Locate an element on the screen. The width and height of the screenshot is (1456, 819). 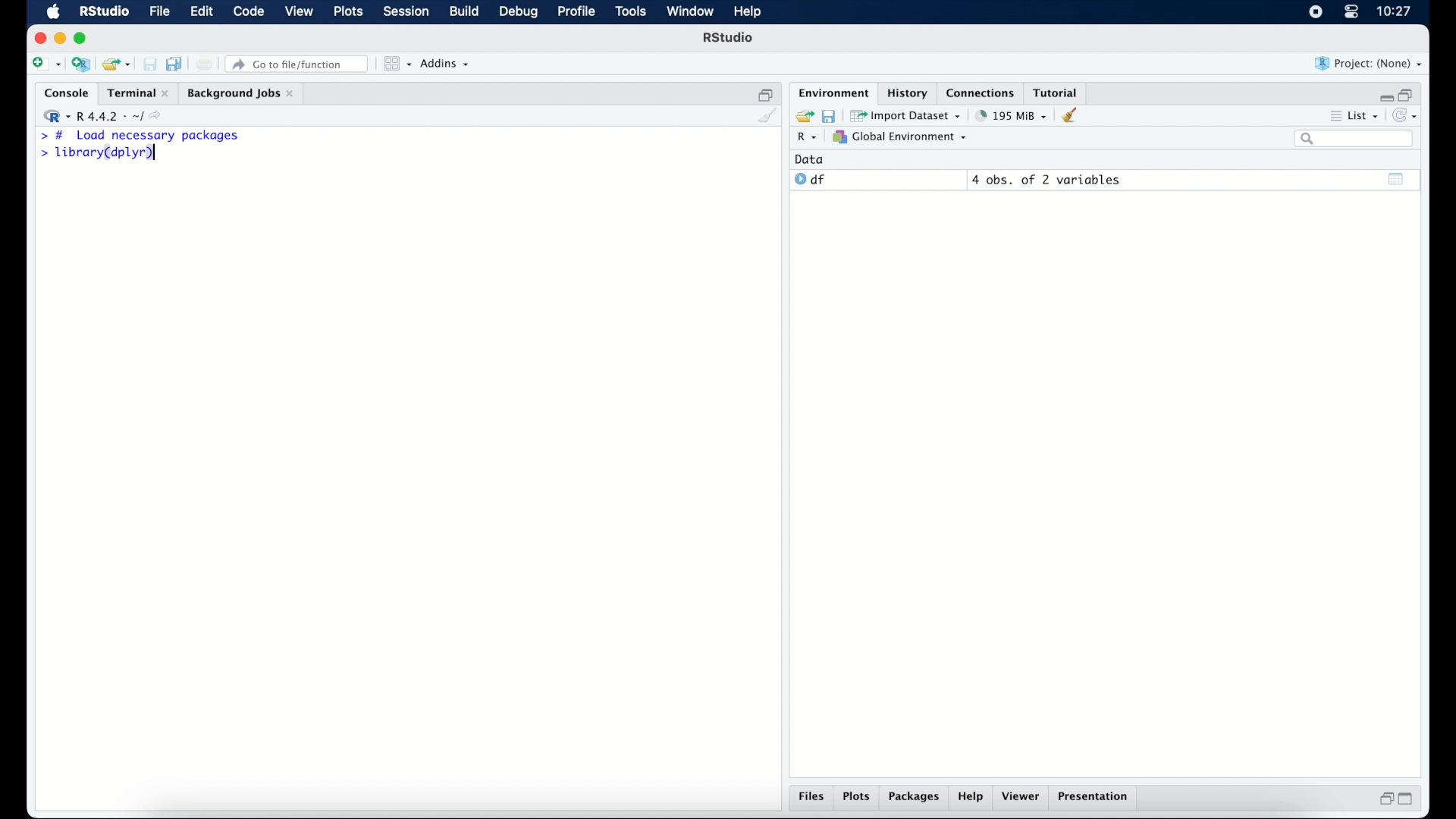
create new file is located at coordinates (45, 65).